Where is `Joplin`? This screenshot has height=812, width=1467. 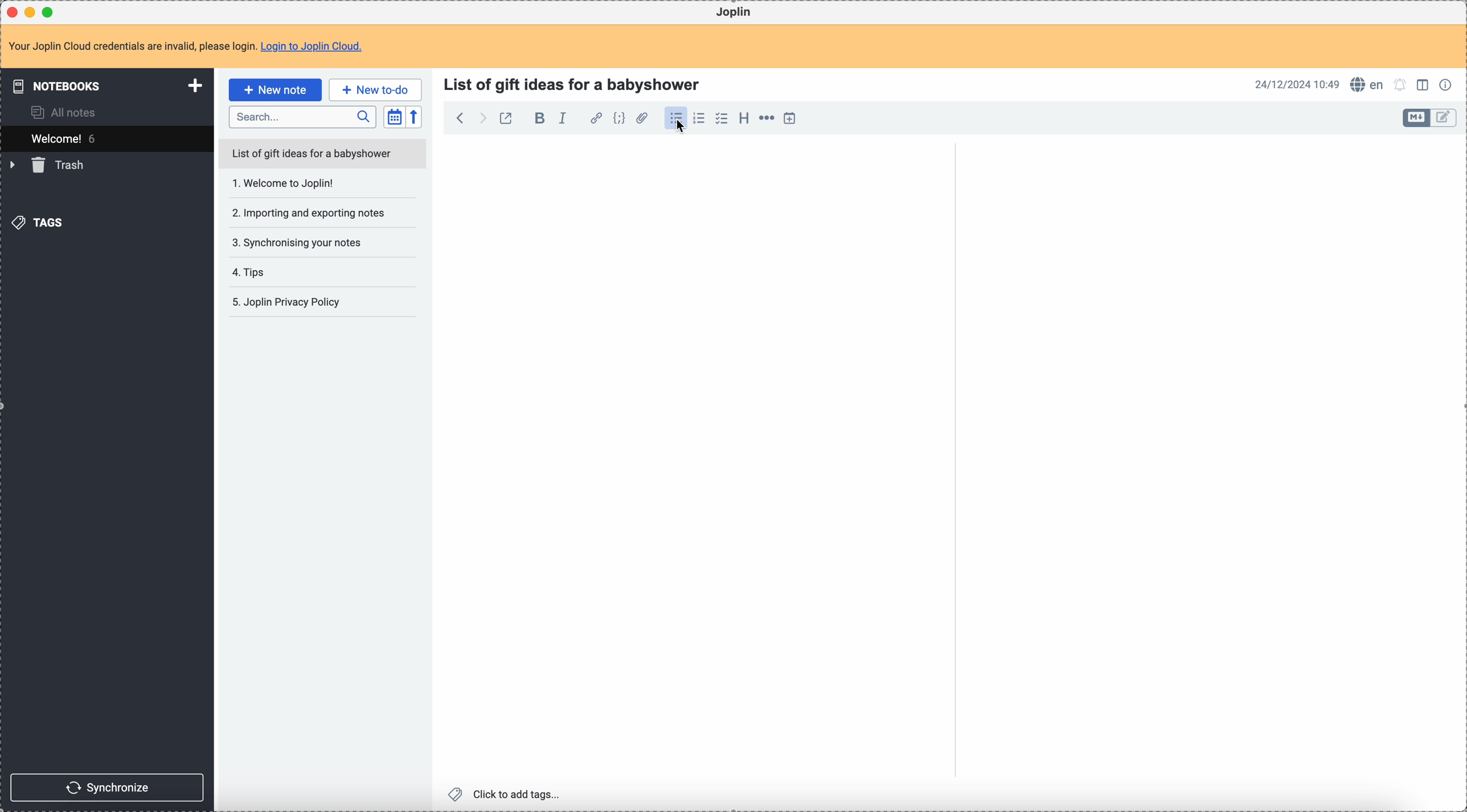 Joplin is located at coordinates (736, 13).